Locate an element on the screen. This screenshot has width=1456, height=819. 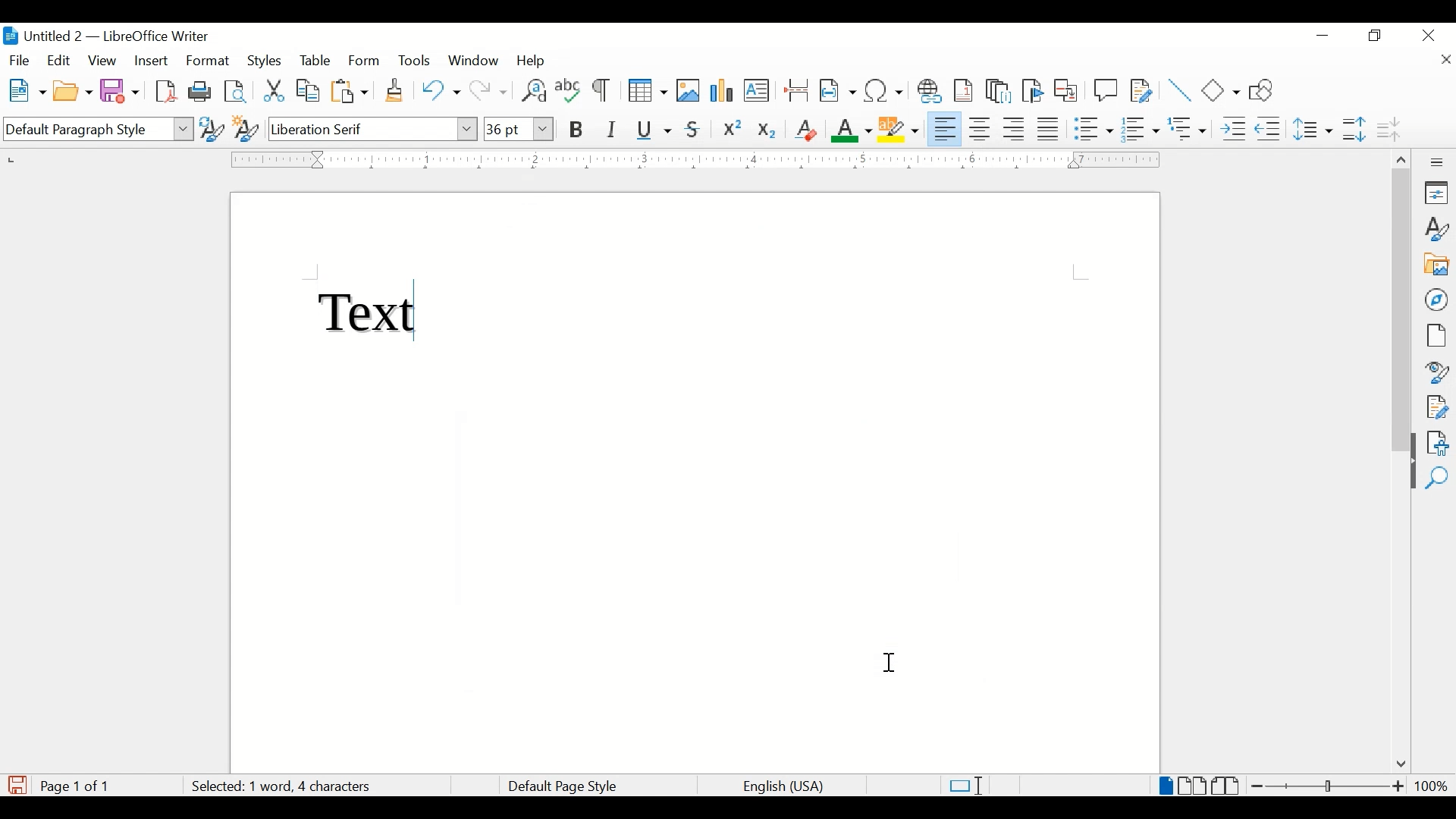
properties is located at coordinates (1438, 193).